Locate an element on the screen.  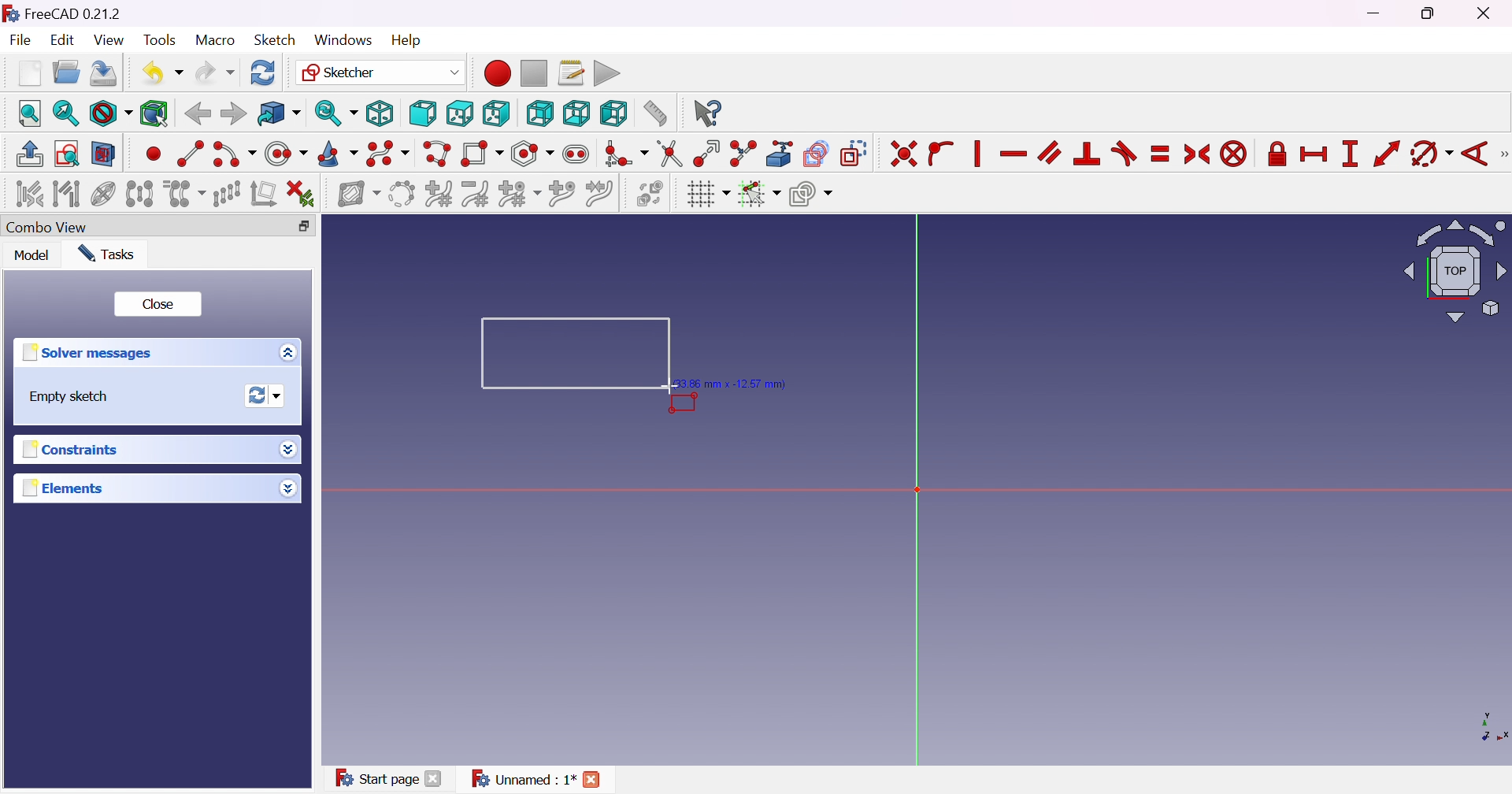
Constrain block is located at coordinates (1234, 155).